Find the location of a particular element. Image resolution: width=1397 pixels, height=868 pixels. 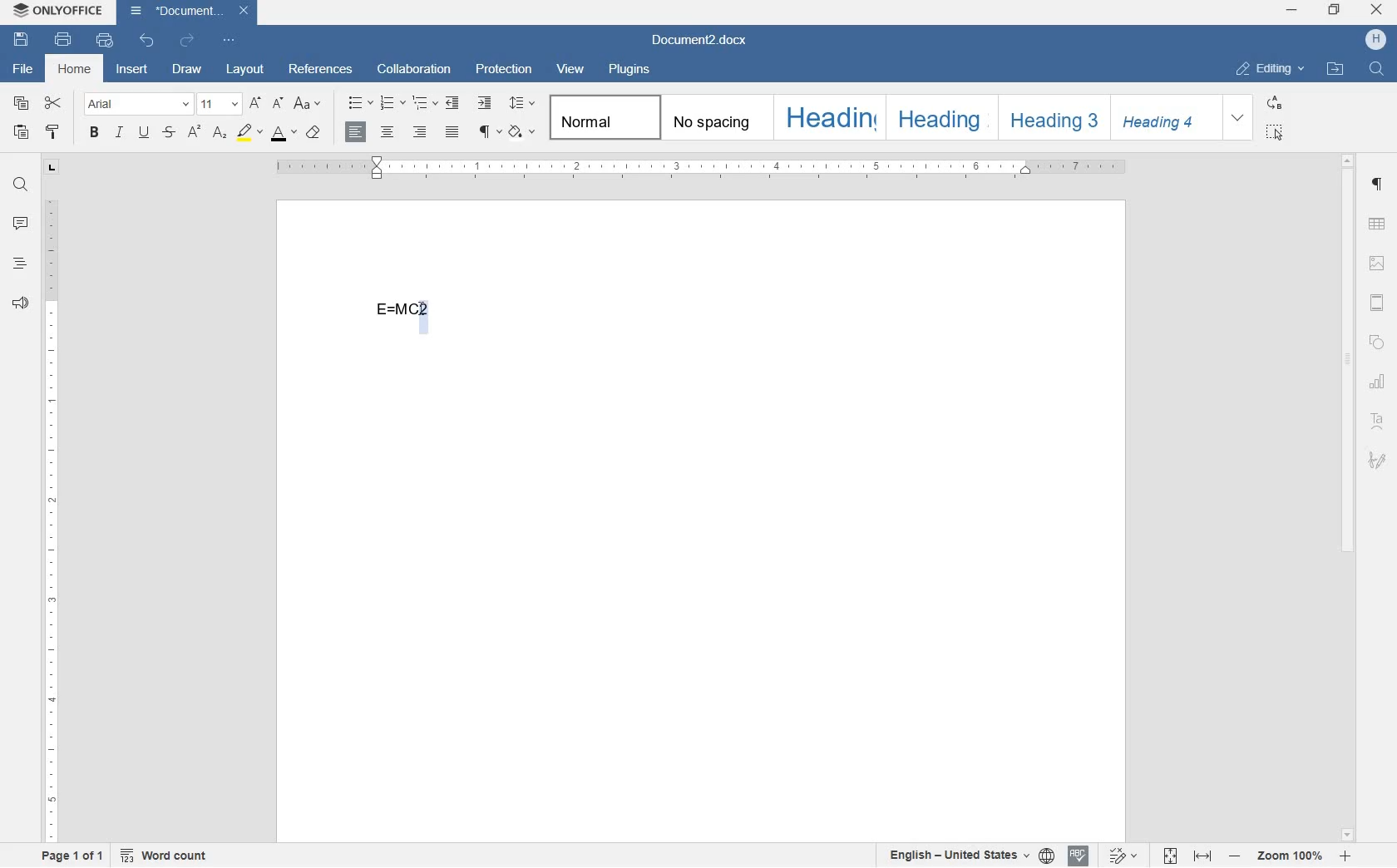

word count is located at coordinates (166, 856).